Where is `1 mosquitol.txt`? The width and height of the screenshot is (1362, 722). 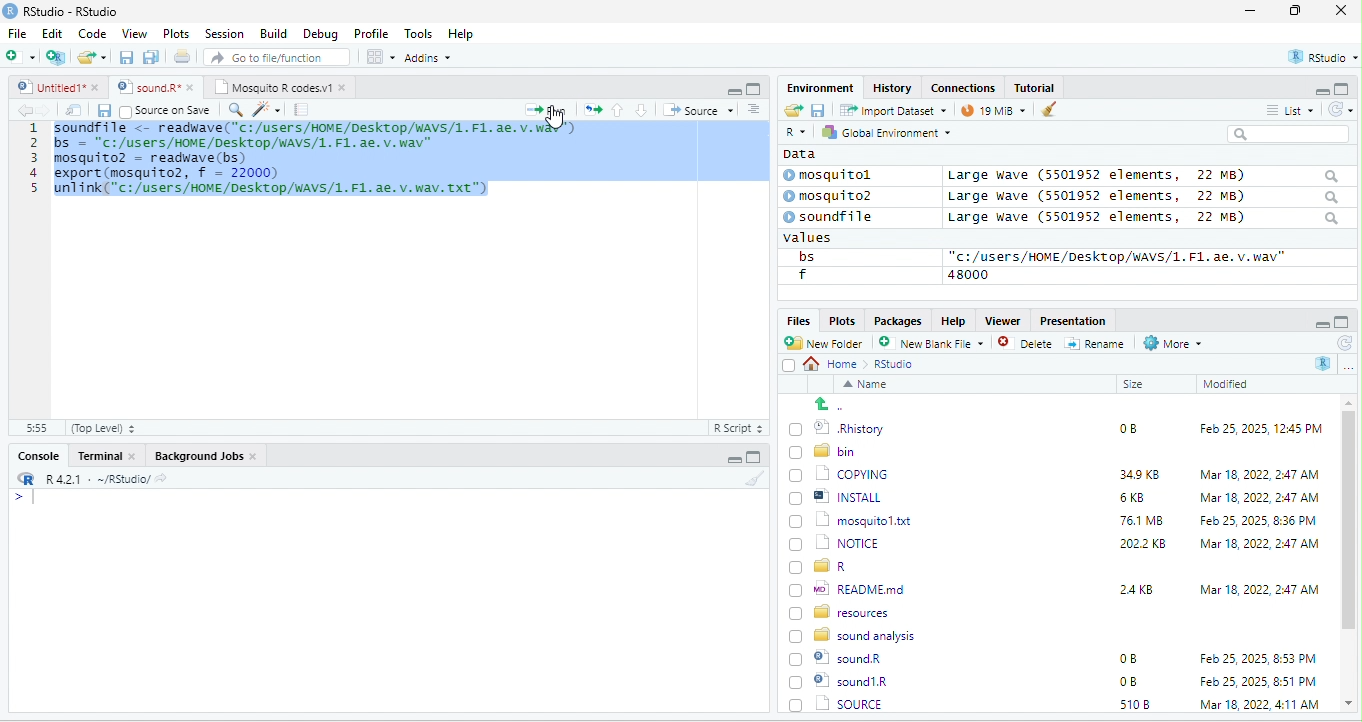
1 mosquitol.txt is located at coordinates (844, 519).